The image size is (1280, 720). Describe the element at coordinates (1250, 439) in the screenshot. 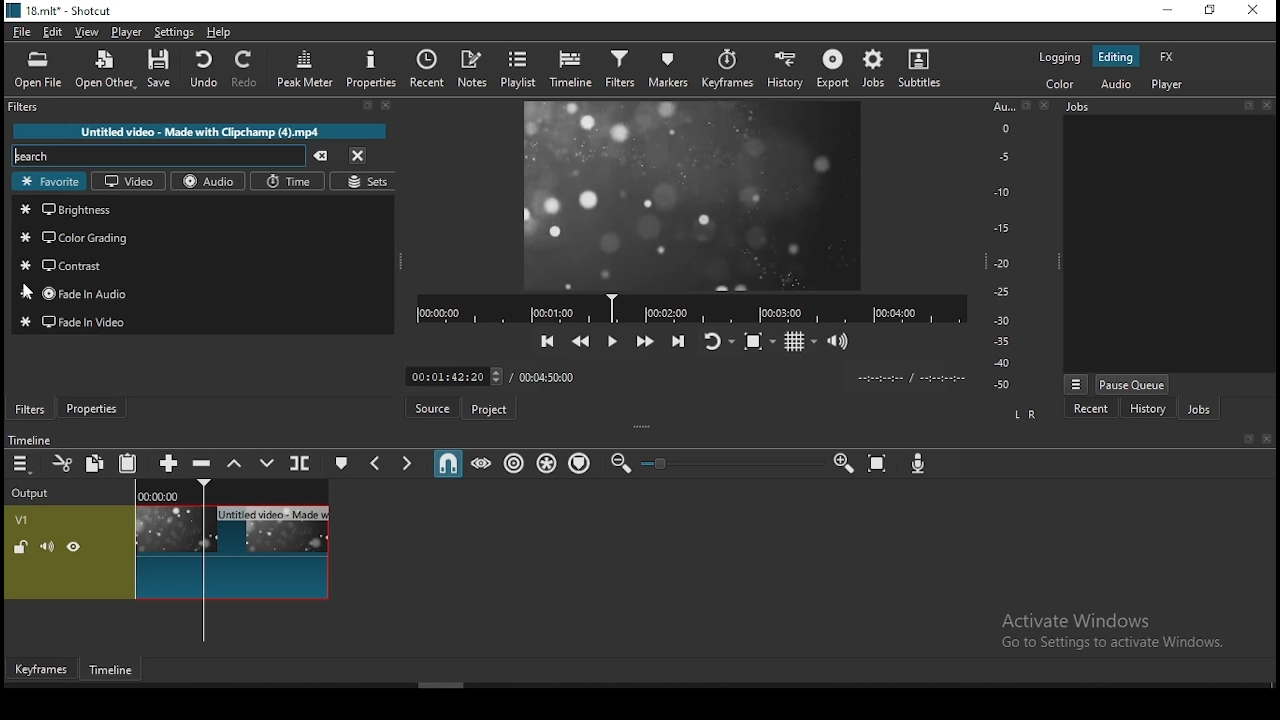

I see `Detach` at that location.